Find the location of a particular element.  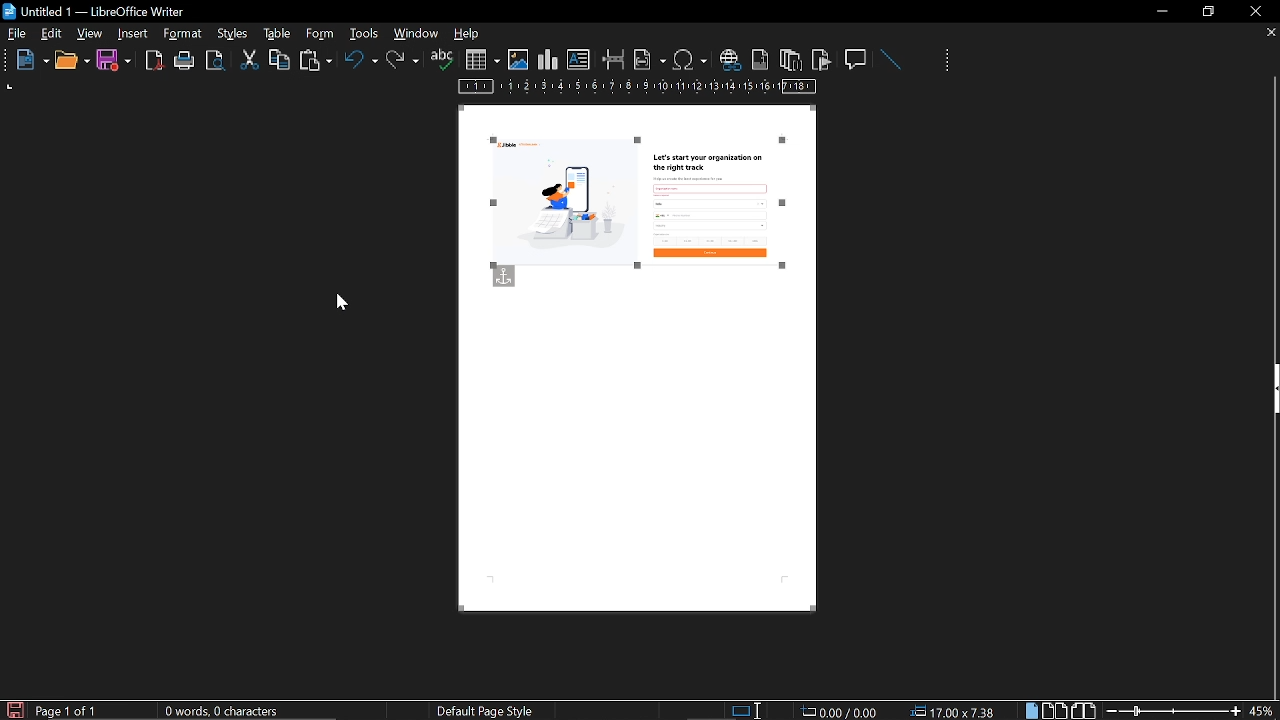

toggle print preview is located at coordinates (218, 61).